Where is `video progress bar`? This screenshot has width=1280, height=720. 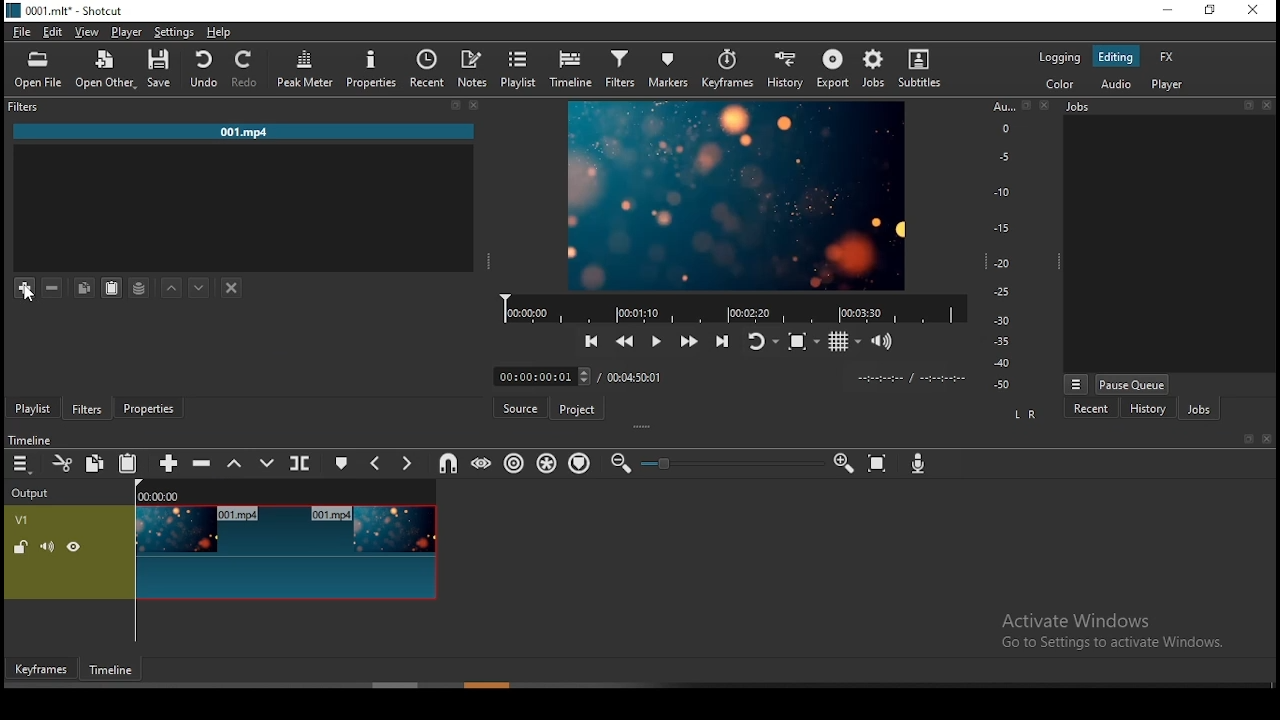 video progress bar is located at coordinates (728, 305).